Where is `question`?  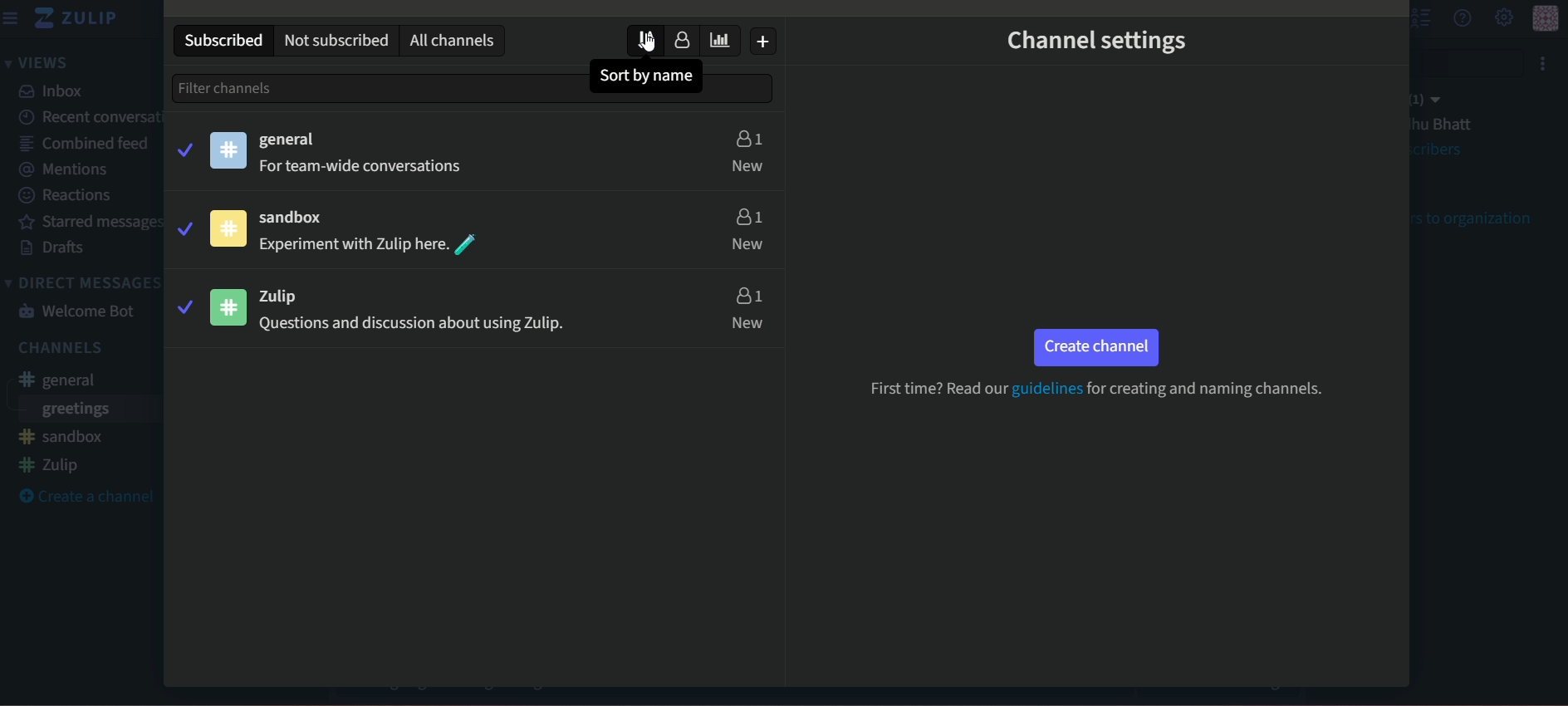 question is located at coordinates (1462, 18).